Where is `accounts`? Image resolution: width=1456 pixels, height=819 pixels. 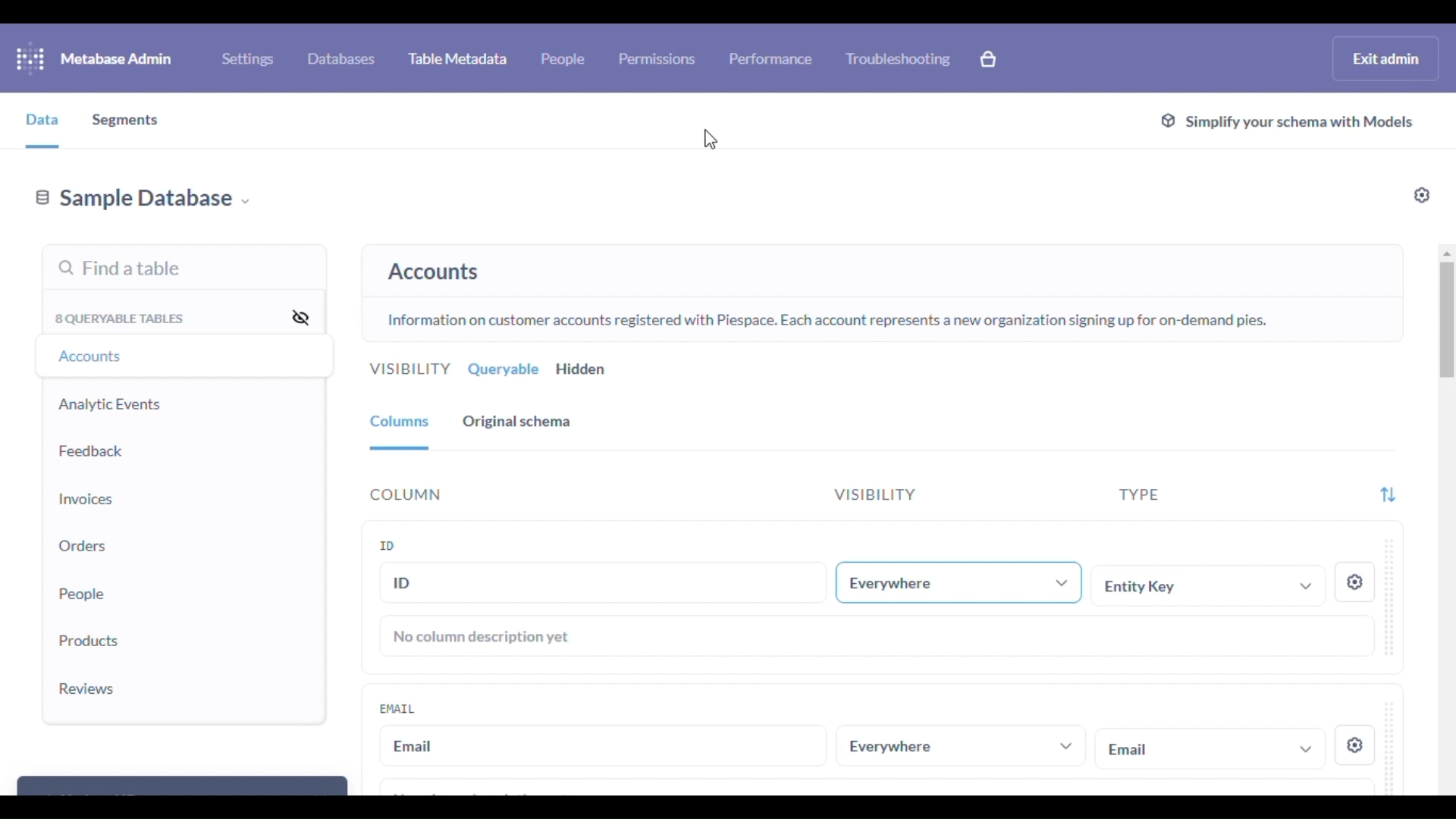
accounts is located at coordinates (434, 272).